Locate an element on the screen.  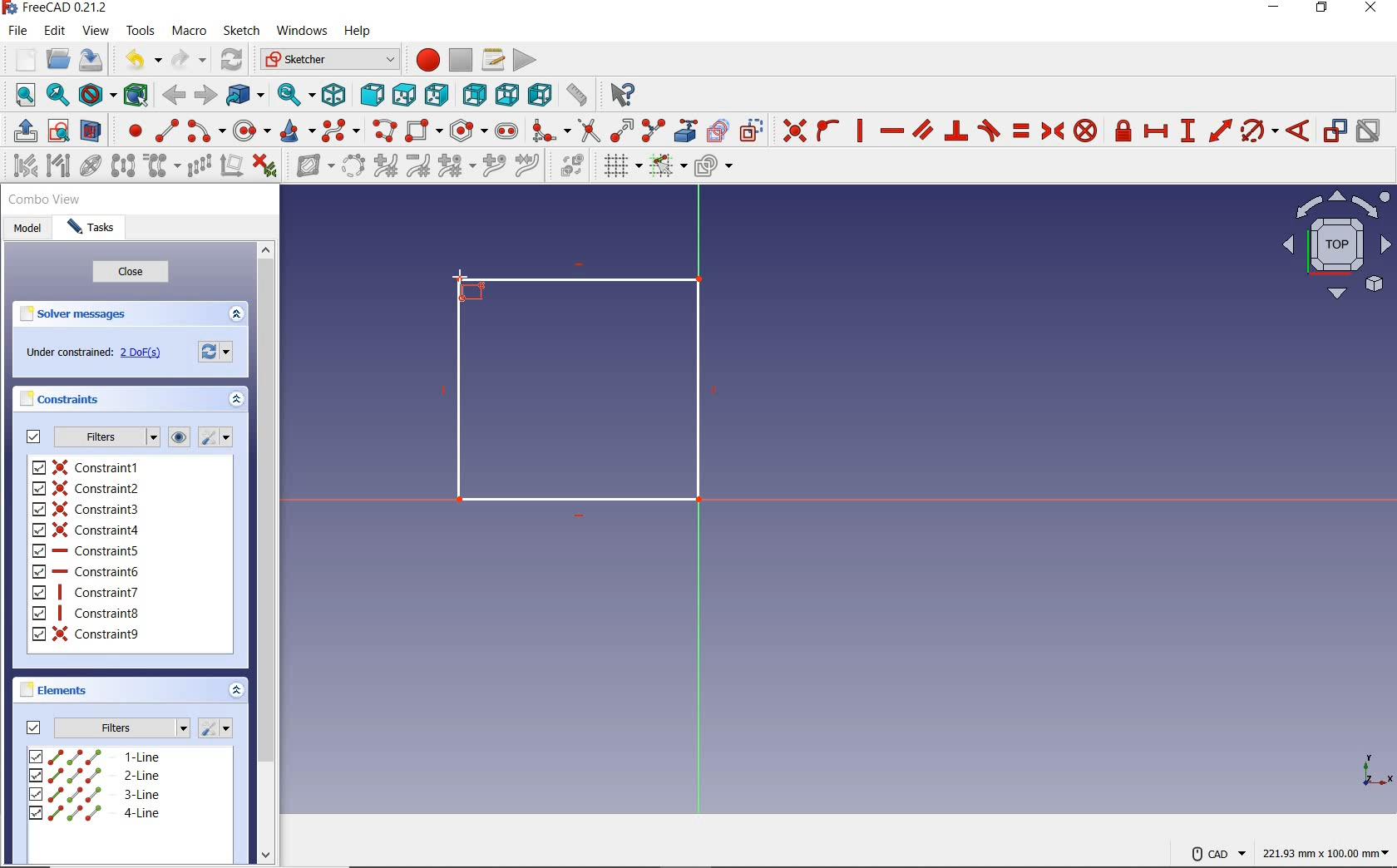
constraint angle is located at coordinates (1299, 130).